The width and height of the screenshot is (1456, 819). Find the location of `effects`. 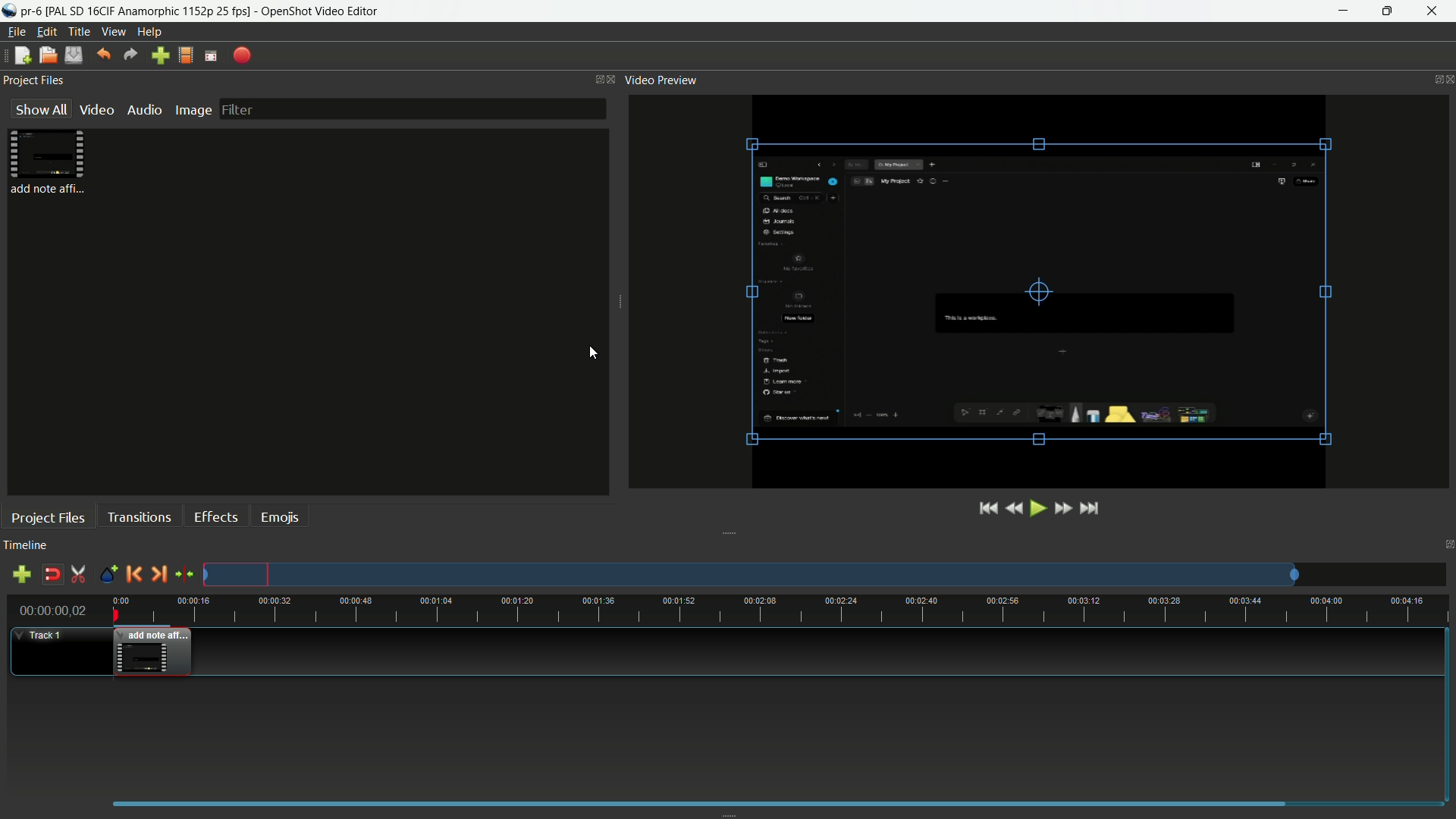

effects is located at coordinates (216, 516).